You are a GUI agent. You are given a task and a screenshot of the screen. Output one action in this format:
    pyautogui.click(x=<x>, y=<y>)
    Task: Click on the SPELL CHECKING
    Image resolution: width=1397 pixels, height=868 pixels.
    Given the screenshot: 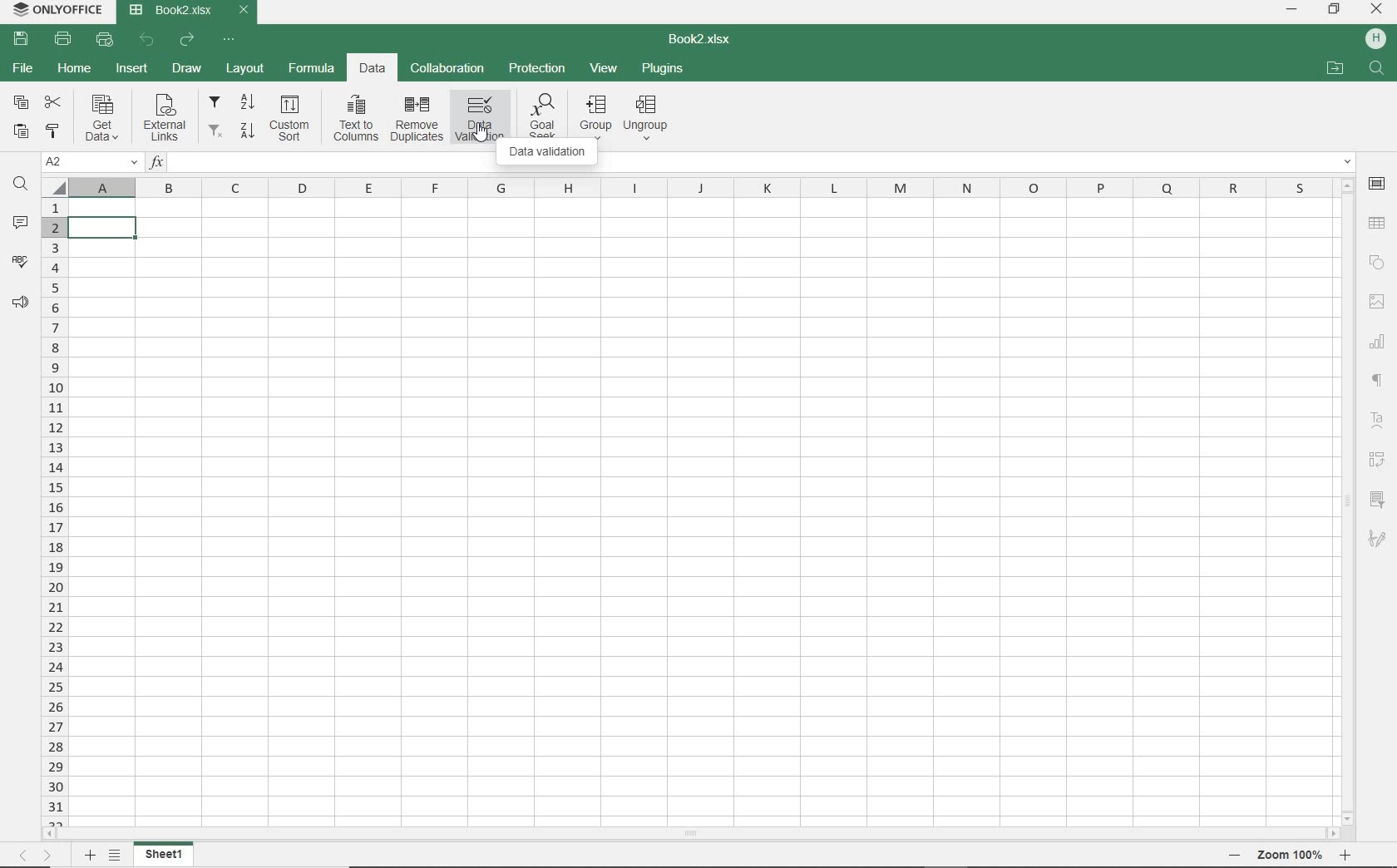 What is the action you would take?
    pyautogui.click(x=21, y=261)
    